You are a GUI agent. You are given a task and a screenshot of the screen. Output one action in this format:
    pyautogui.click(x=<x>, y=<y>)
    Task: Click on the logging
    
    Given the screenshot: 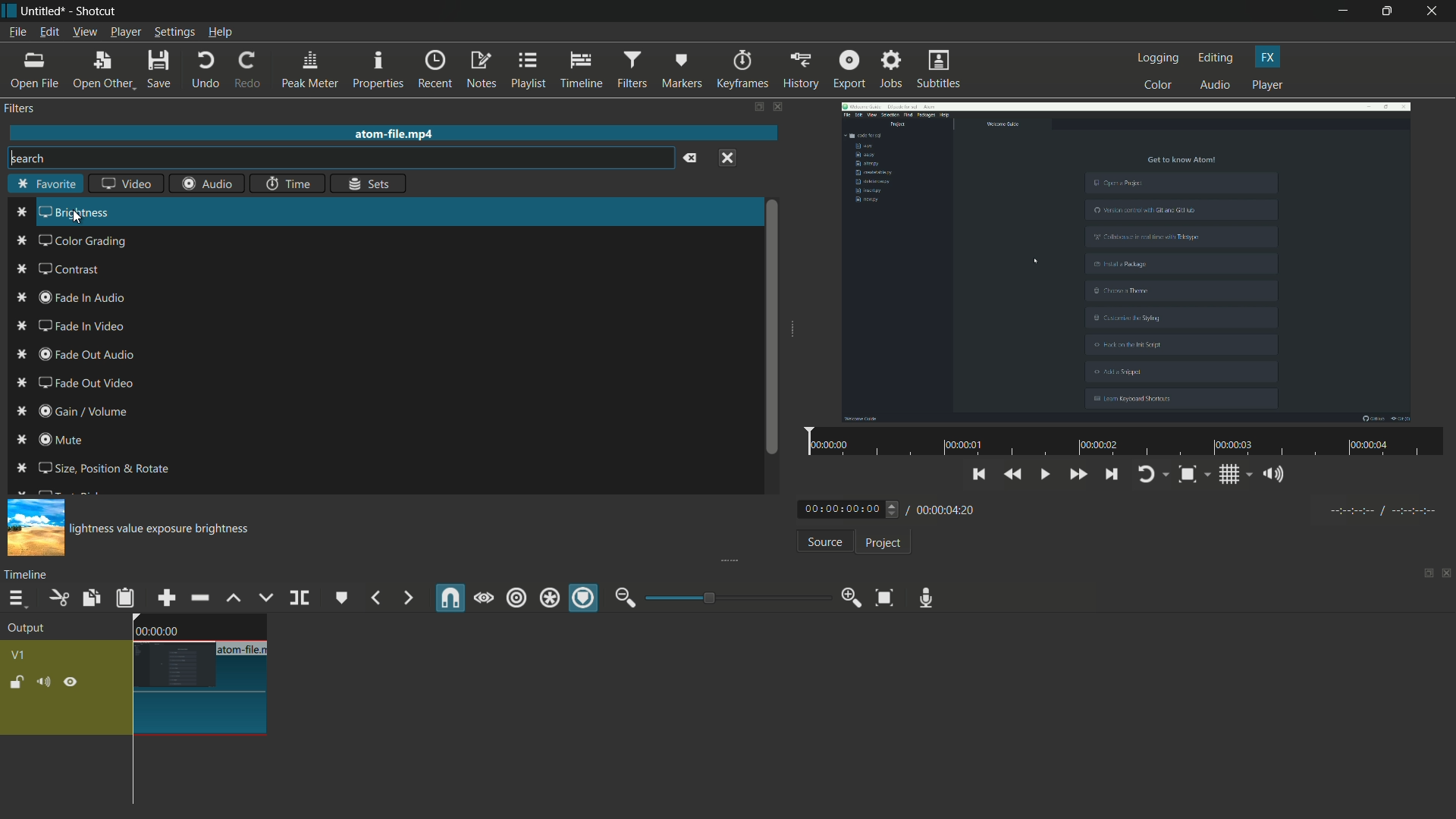 What is the action you would take?
    pyautogui.click(x=1159, y=58)
    